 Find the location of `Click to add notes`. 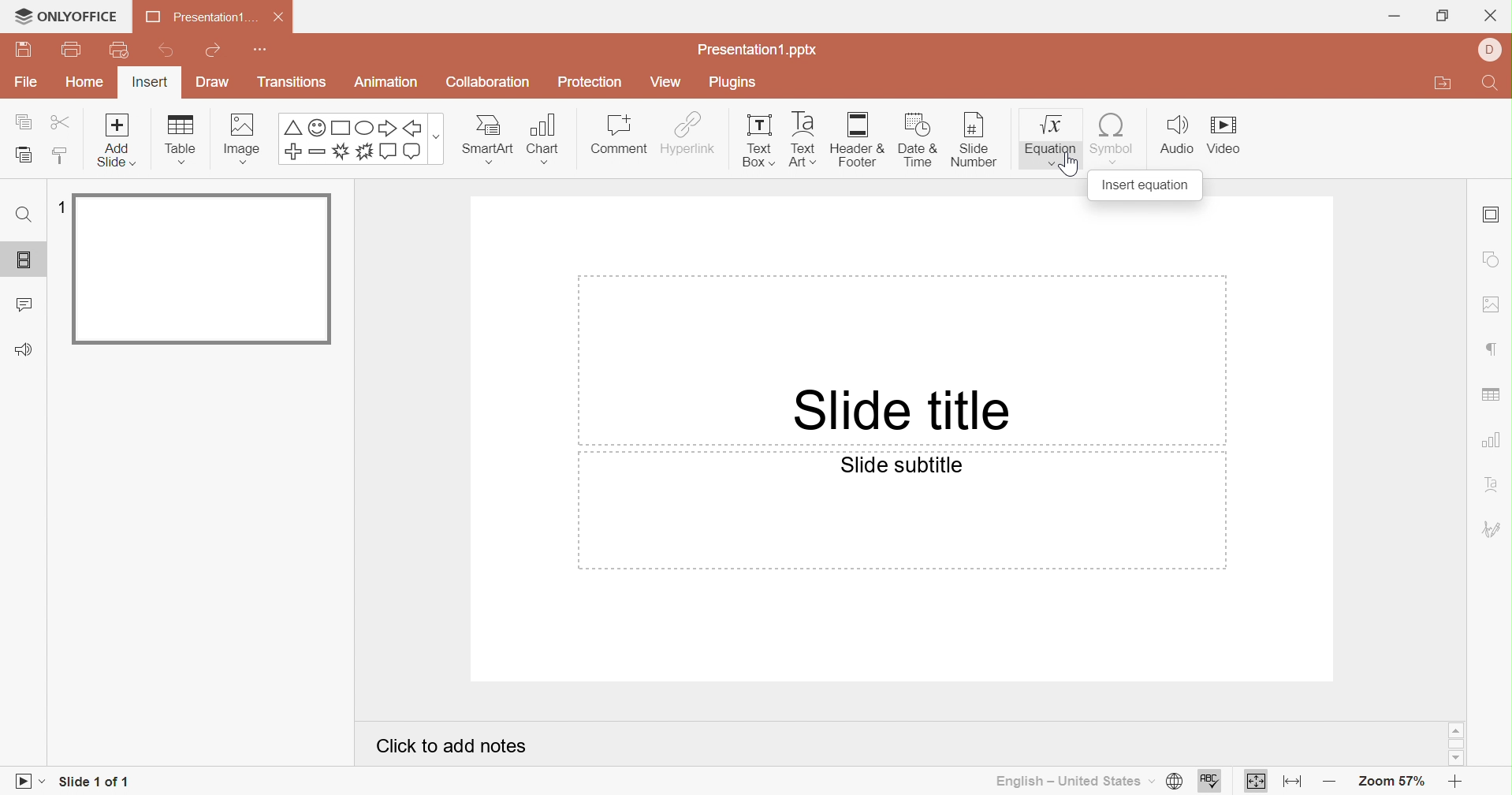

Click to add notes is located at coordinates (449, 745).